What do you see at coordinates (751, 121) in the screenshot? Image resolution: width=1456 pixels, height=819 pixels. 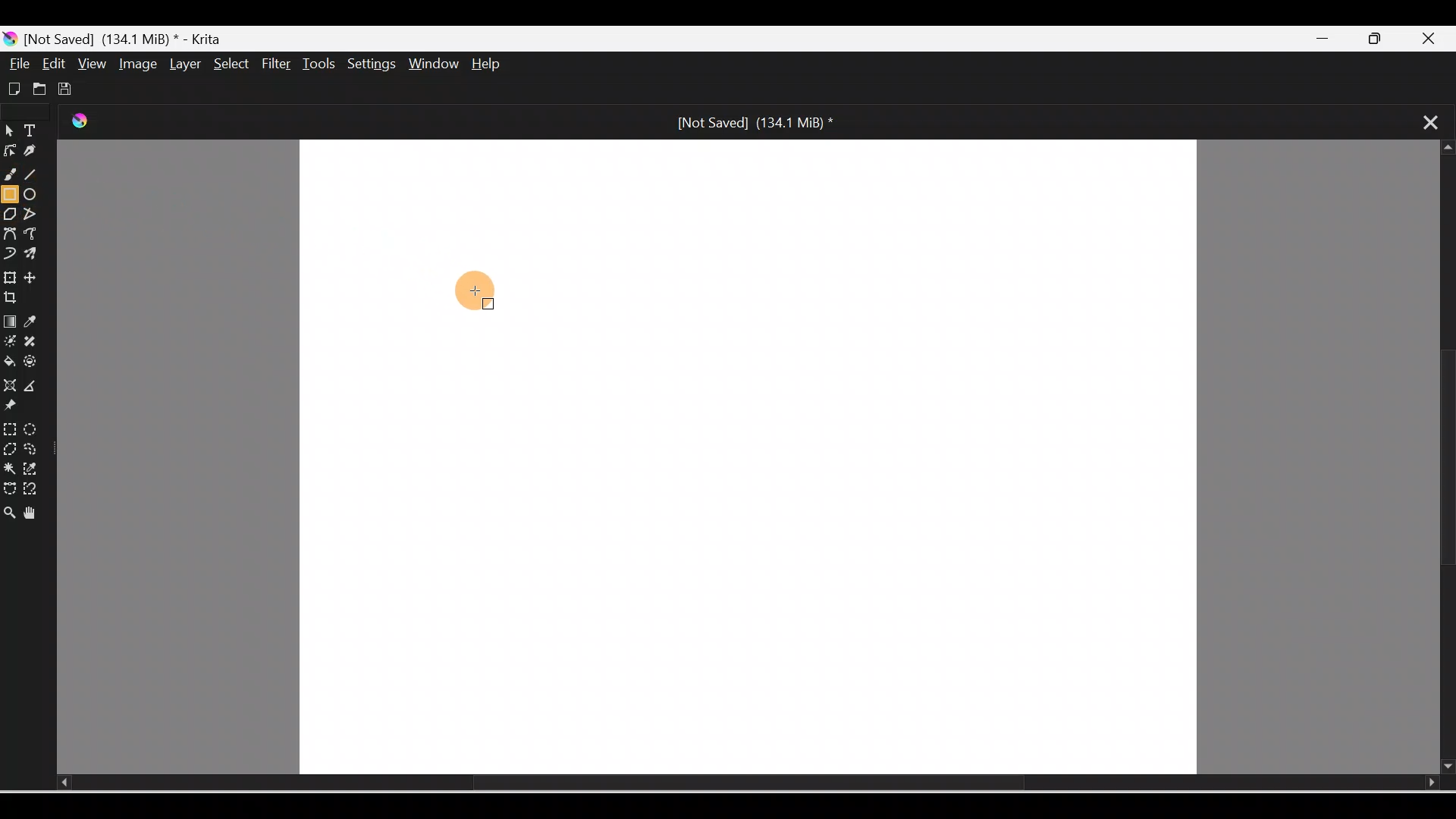 I see `[Not Saved] (171.2 MiB) * ` at bounding box center [751, 121].